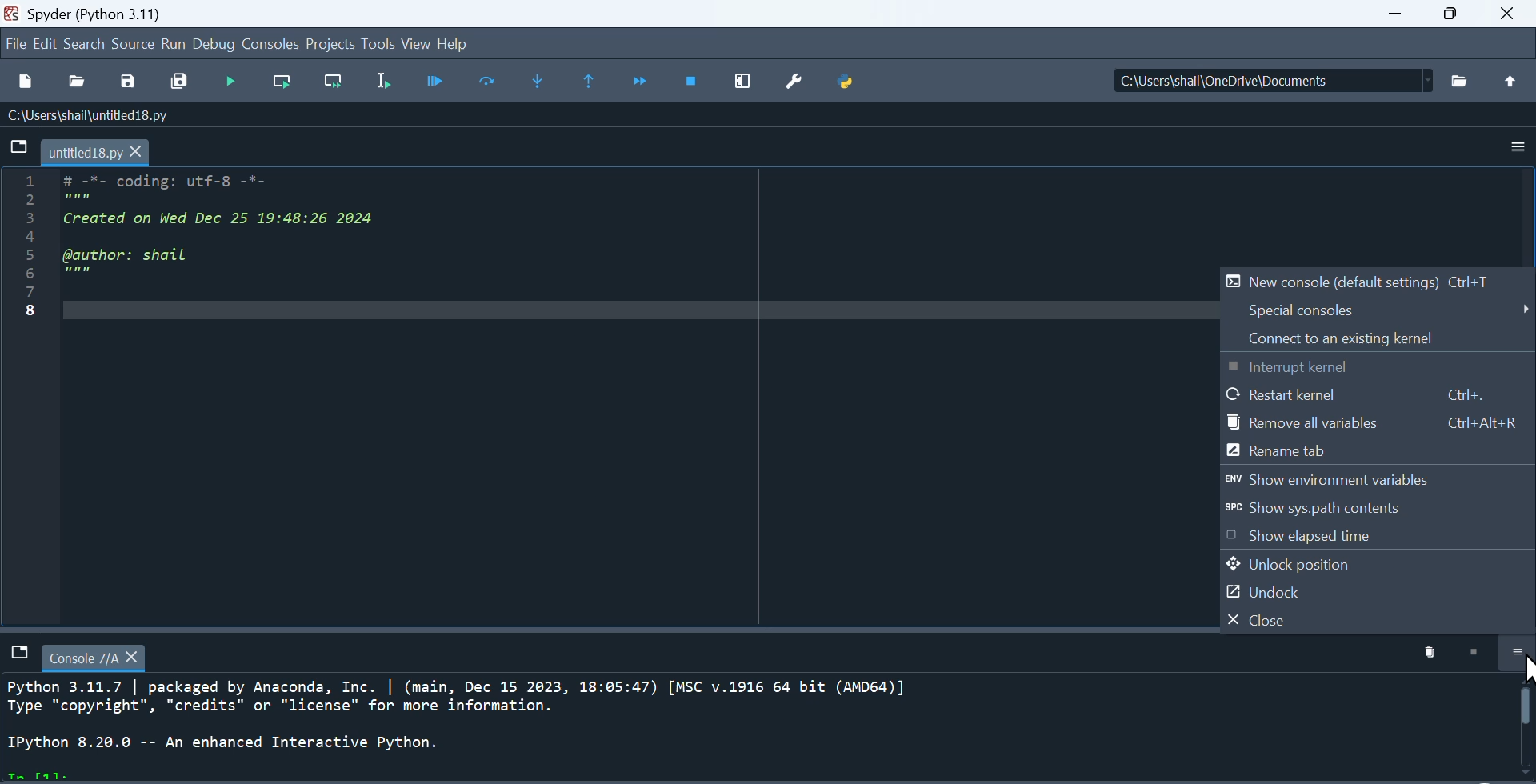 The image size is (1536, 784). I want to click on untitles18.py, so click(99, 152).